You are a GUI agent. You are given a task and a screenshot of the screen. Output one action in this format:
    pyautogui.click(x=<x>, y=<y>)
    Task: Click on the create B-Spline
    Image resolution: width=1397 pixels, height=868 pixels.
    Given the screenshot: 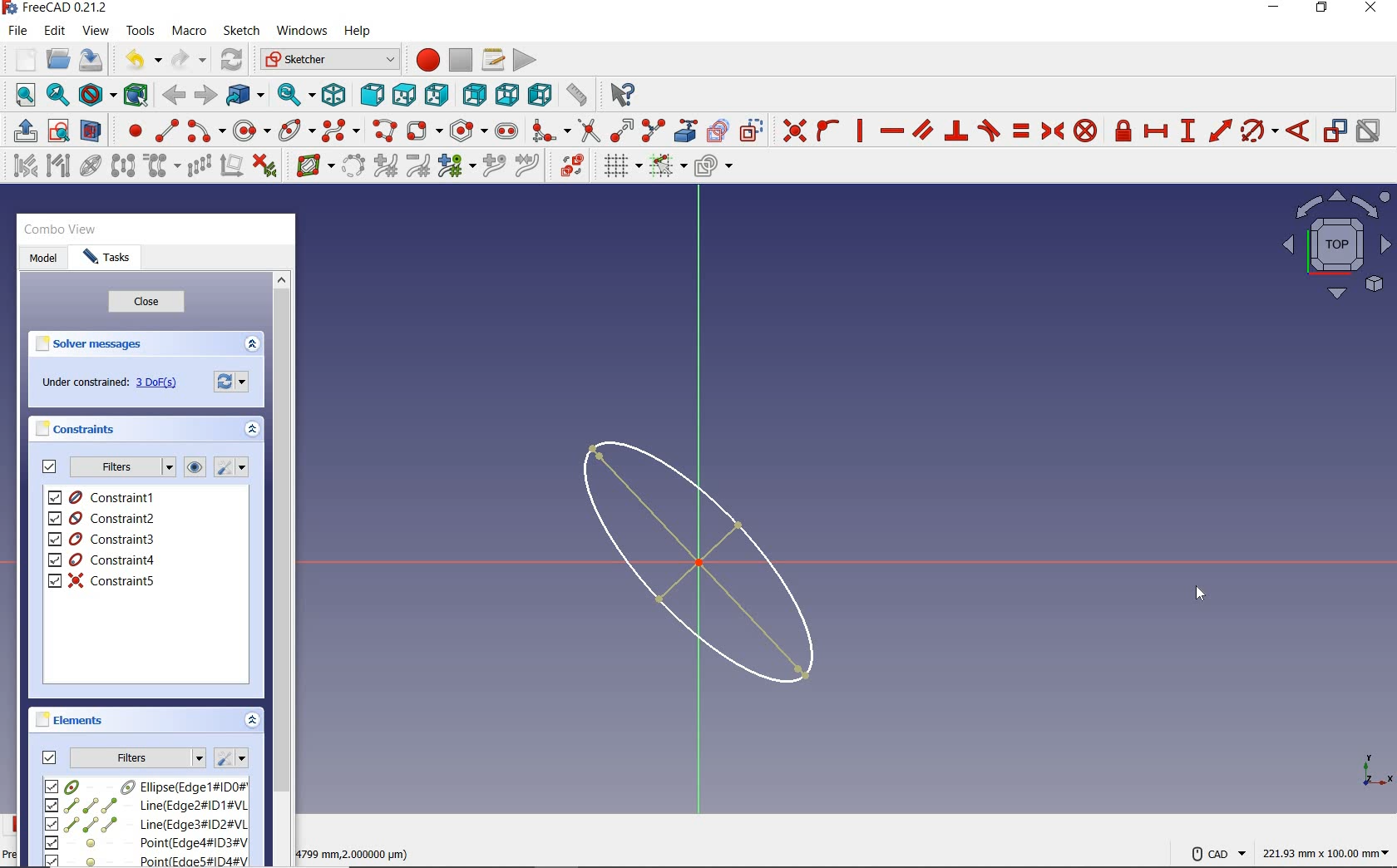 What is the action you would take?
    pyautogui.click(x=340, y=130)
    